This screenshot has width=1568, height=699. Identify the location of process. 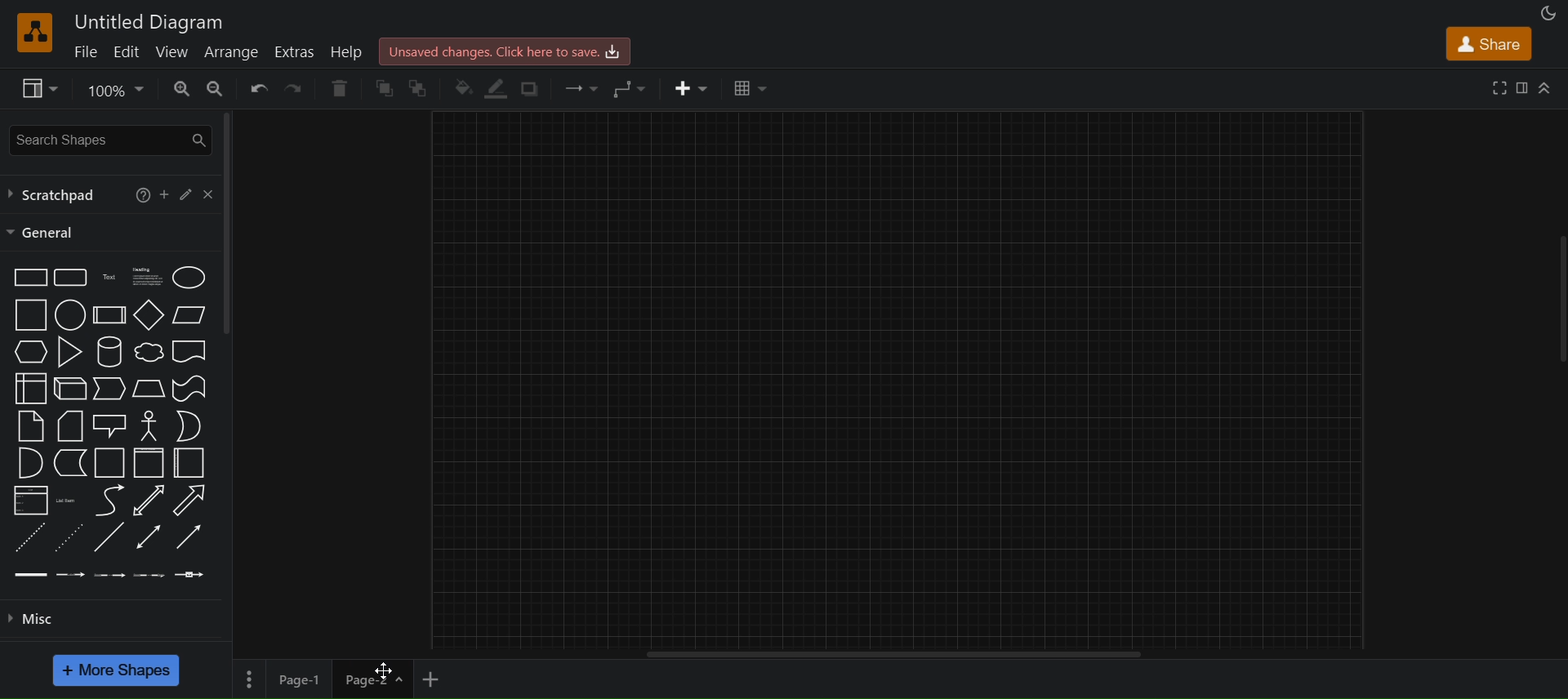
(107, 315).